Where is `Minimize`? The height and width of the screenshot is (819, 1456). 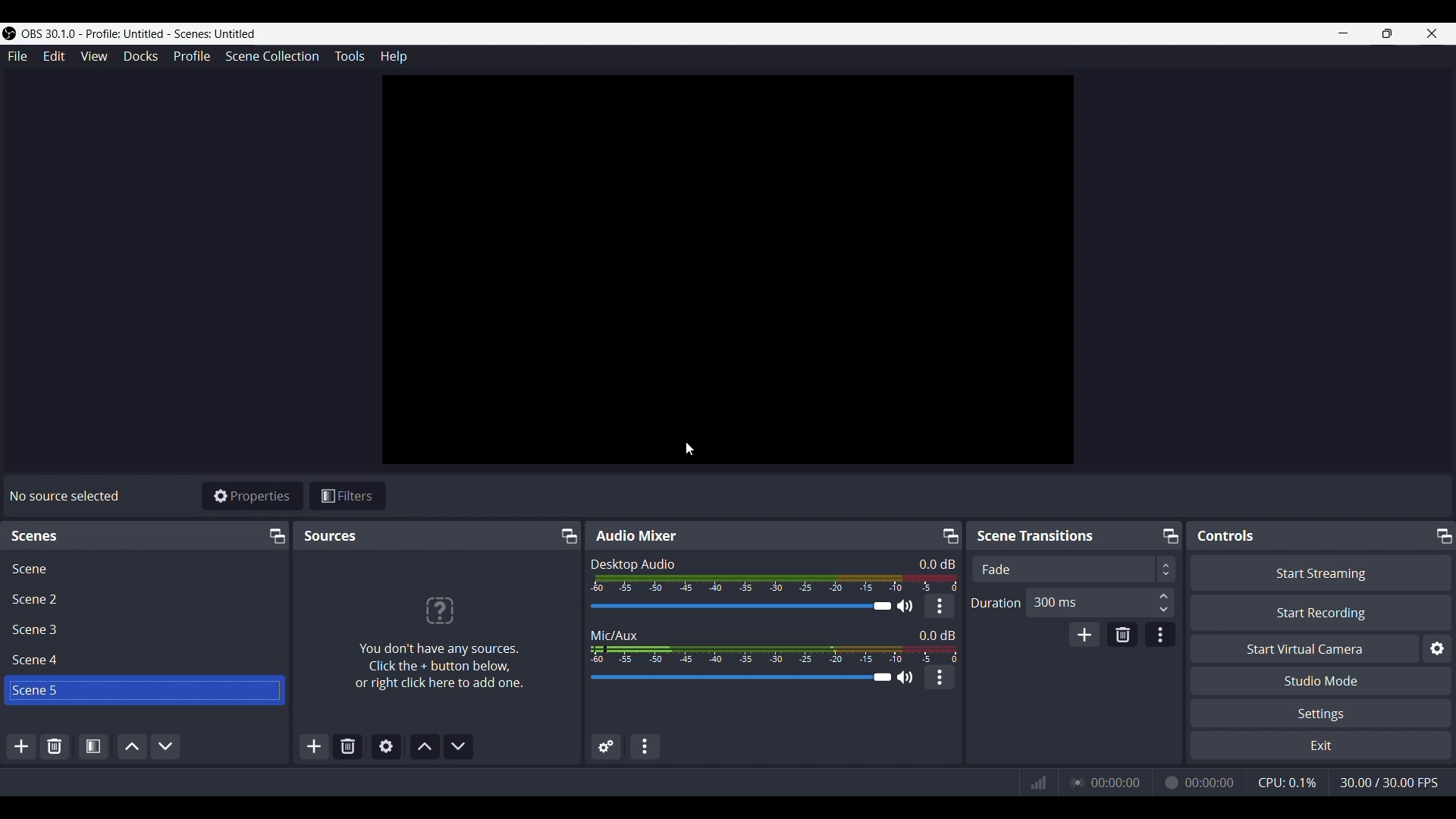
Minimize is located at coordinates (1341, 33).